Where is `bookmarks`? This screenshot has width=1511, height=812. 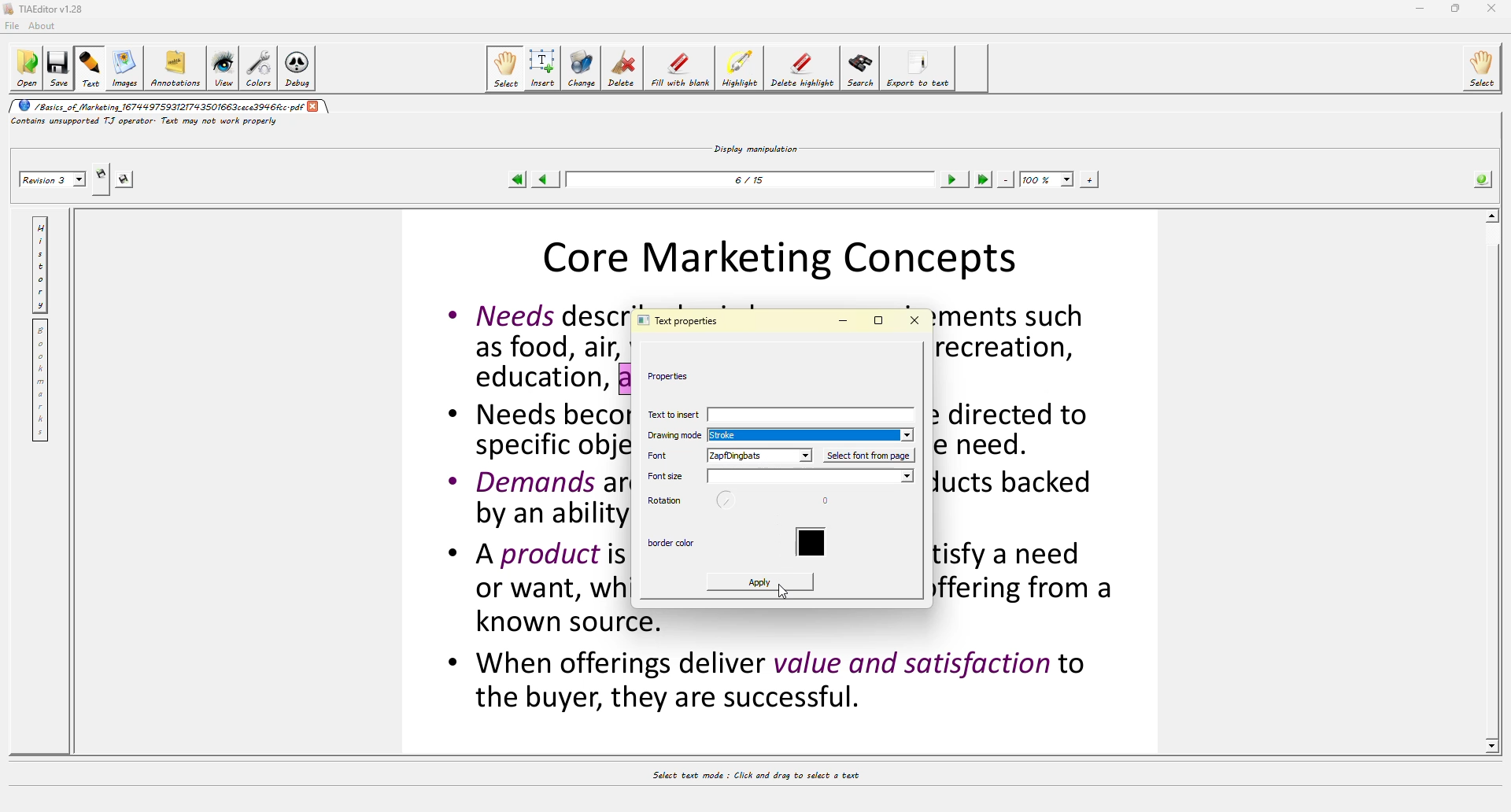 bookmarks is located at coordinates (41, 381).